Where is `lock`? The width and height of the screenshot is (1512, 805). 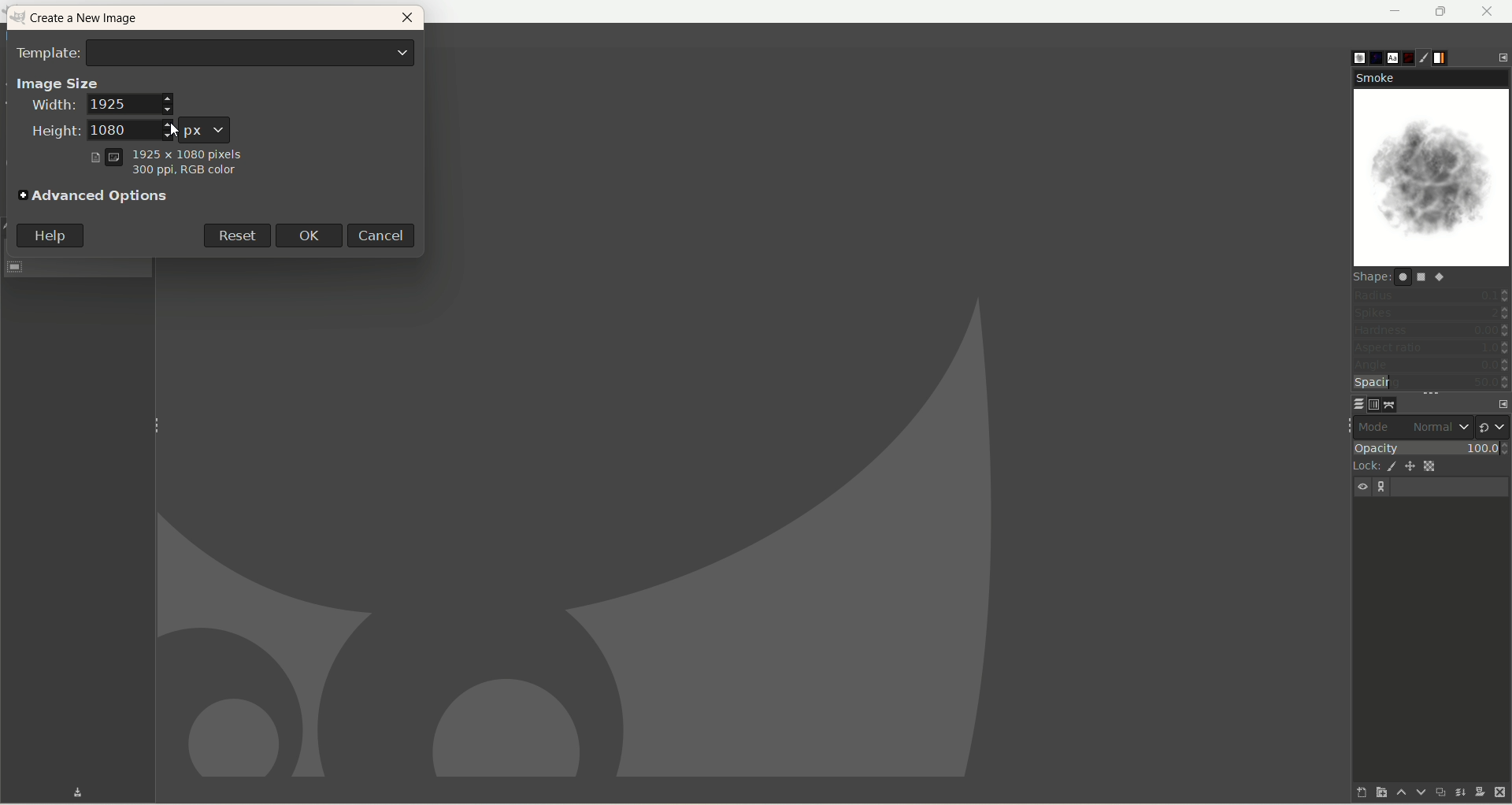
lock is located at coordinates (1362, 465).